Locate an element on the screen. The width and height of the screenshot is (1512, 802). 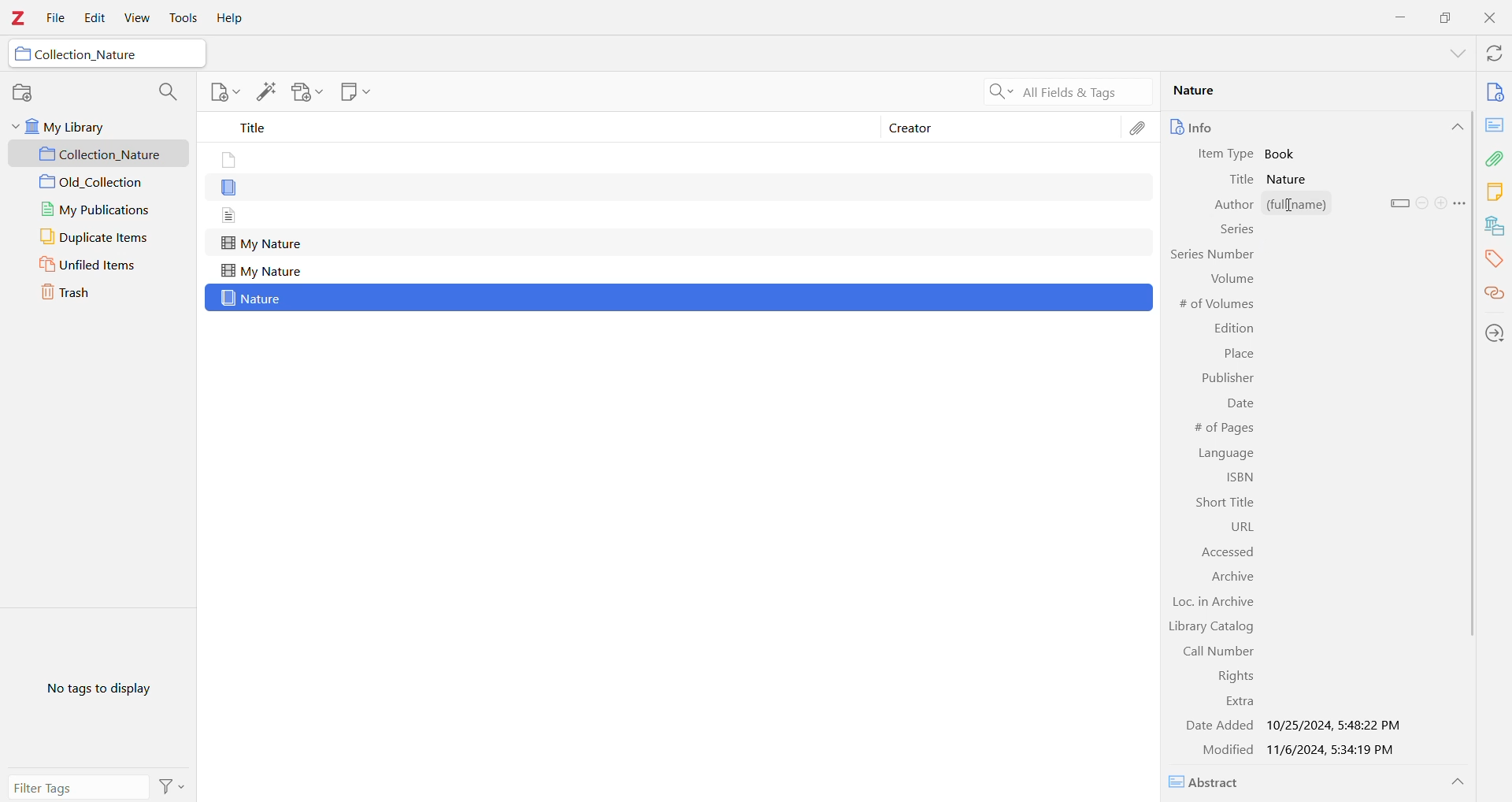
Title is located at coordinates (535, 127).